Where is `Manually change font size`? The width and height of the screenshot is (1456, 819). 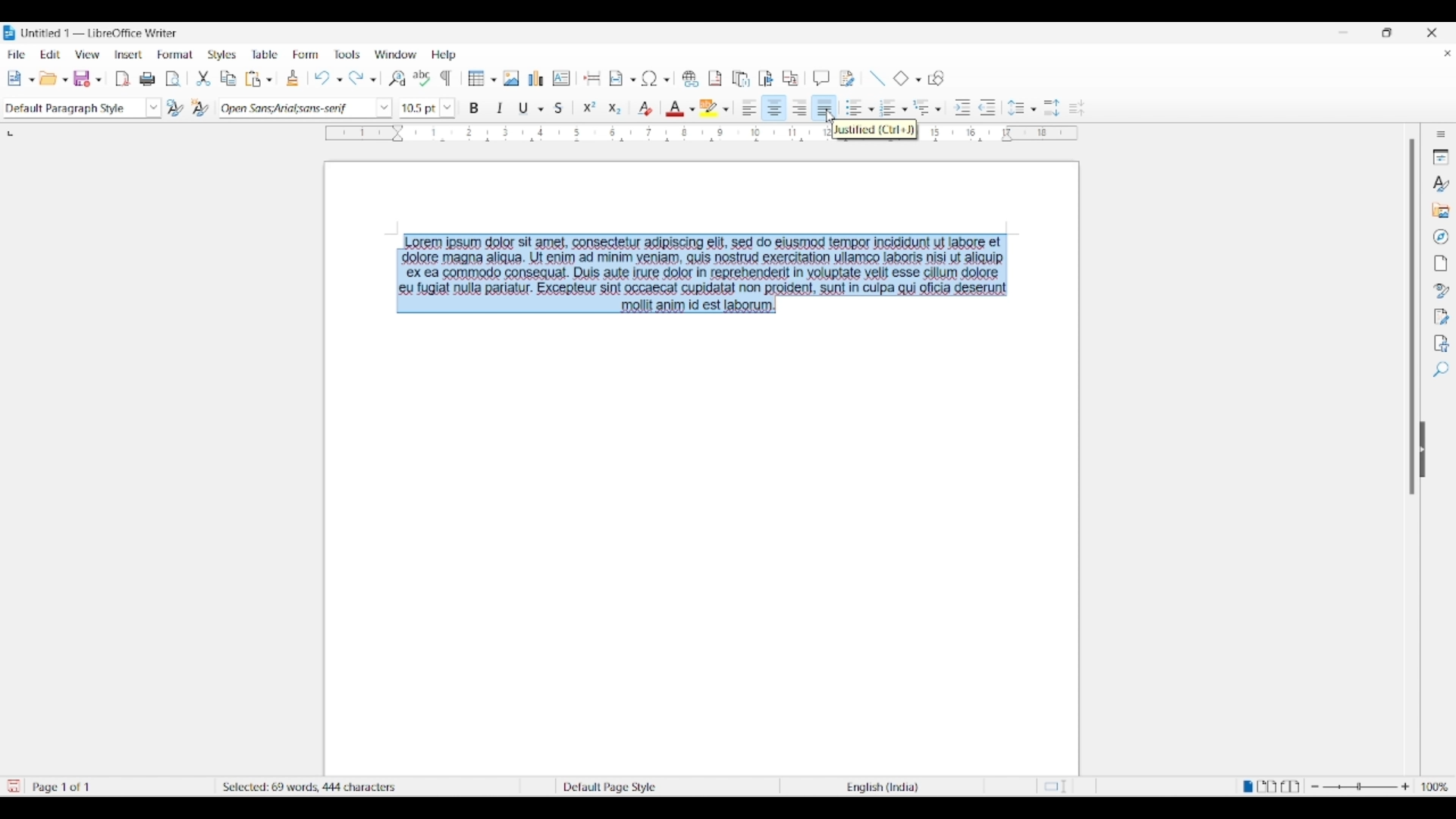 Manually change font size is located at coordinates (419, 108).